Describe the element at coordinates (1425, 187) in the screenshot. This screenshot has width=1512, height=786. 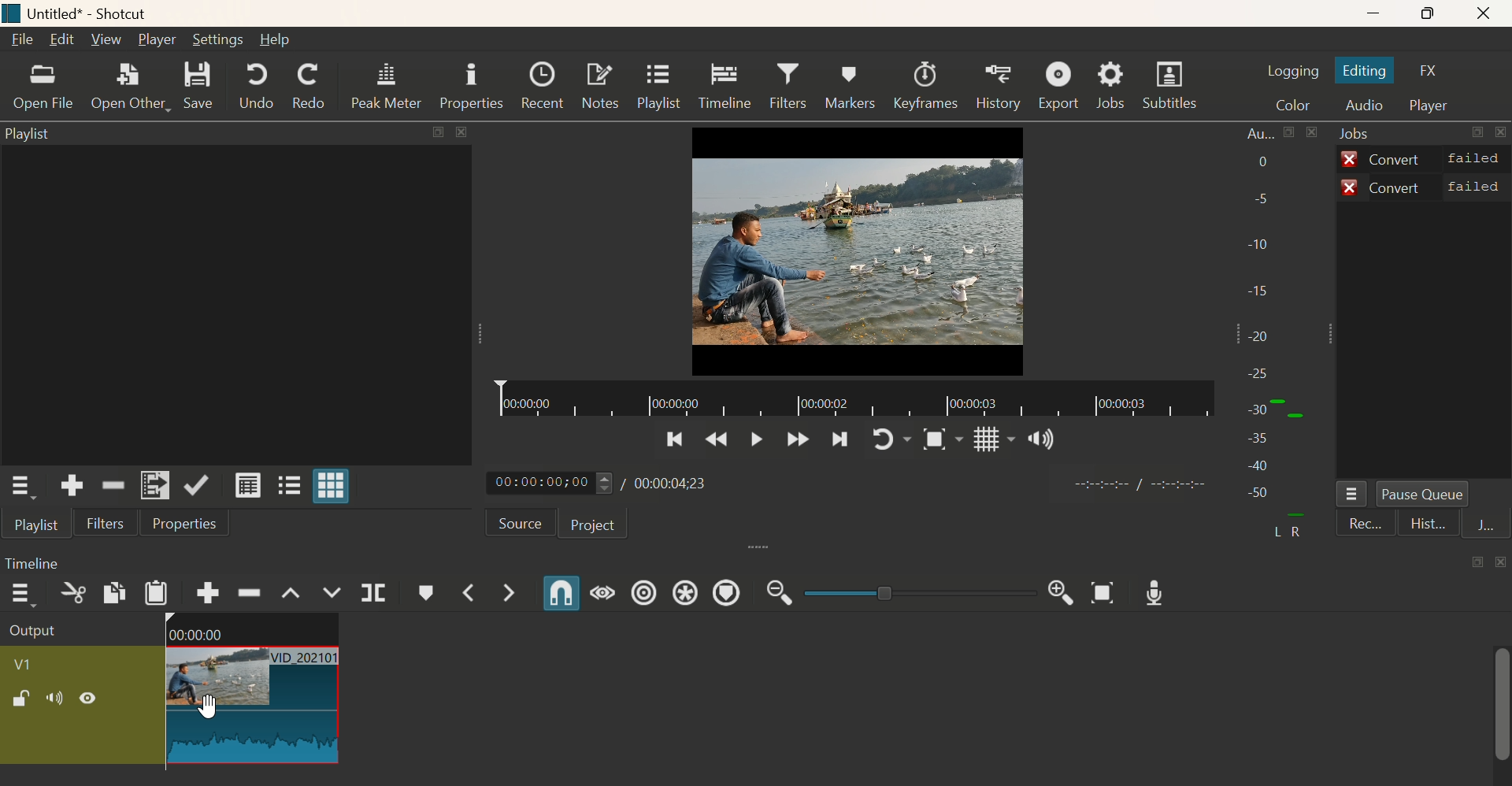
I see `Convert` at that location.